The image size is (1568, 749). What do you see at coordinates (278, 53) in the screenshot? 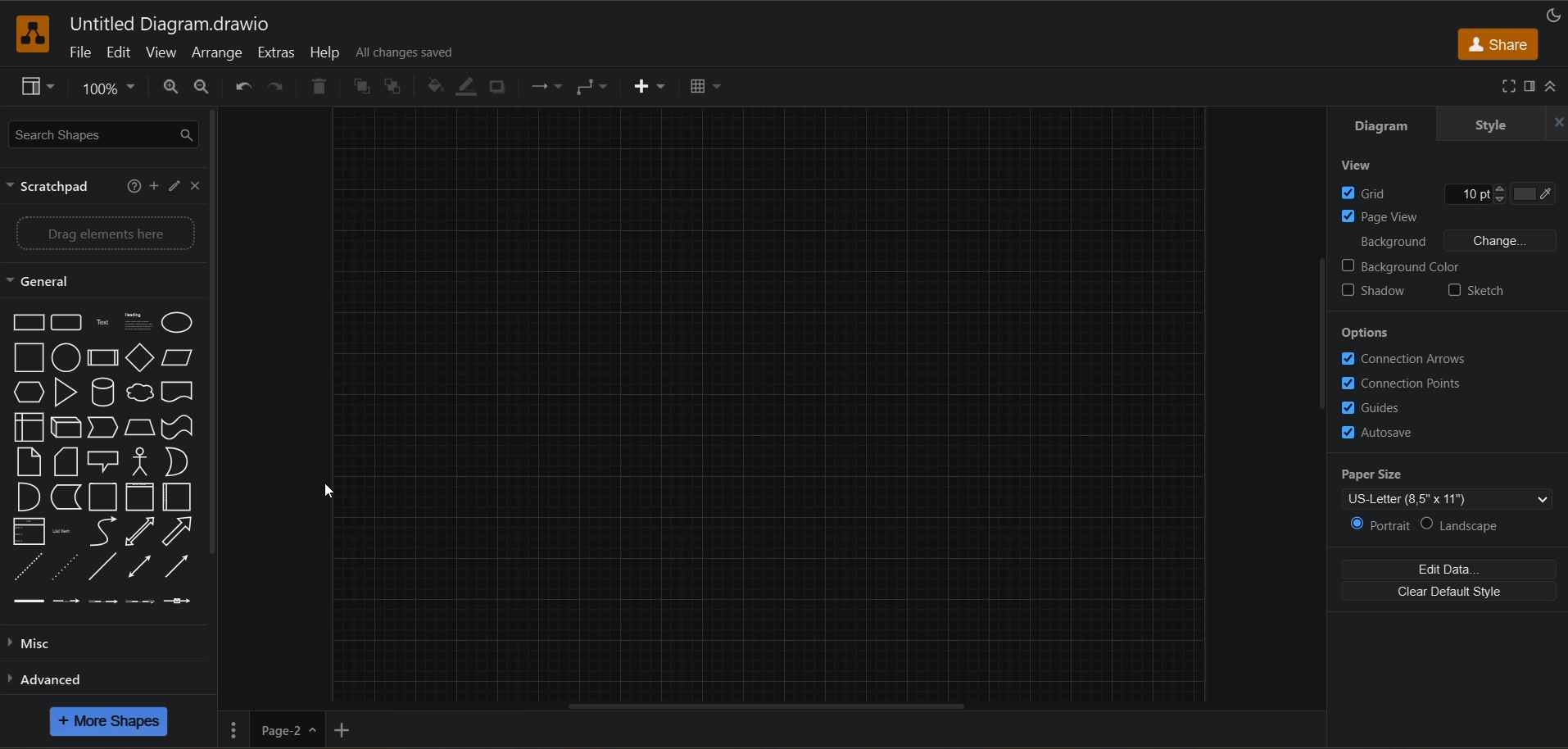
I see `extras` at bounding box center [278, 53].